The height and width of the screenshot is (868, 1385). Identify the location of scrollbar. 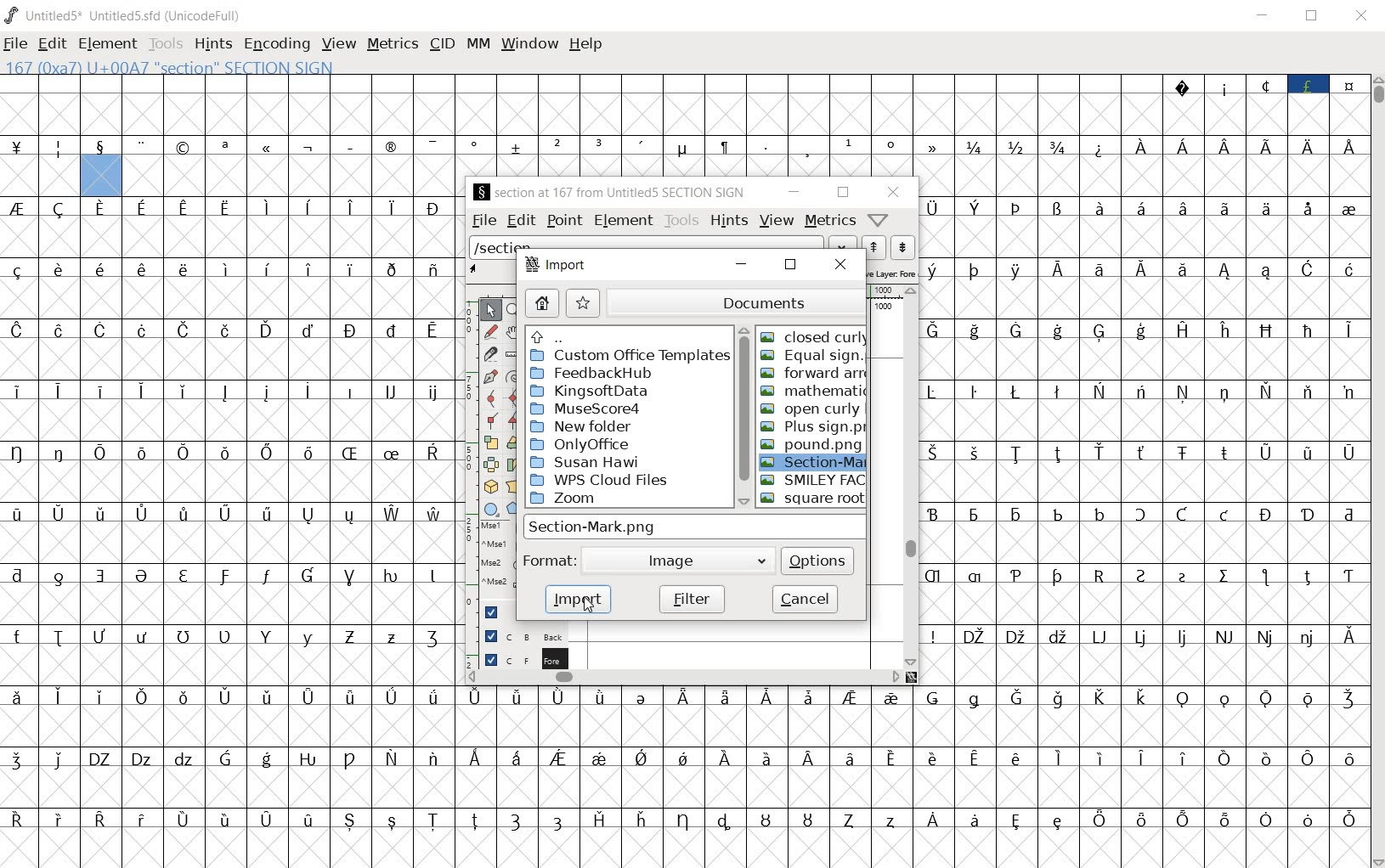
(911, 476).